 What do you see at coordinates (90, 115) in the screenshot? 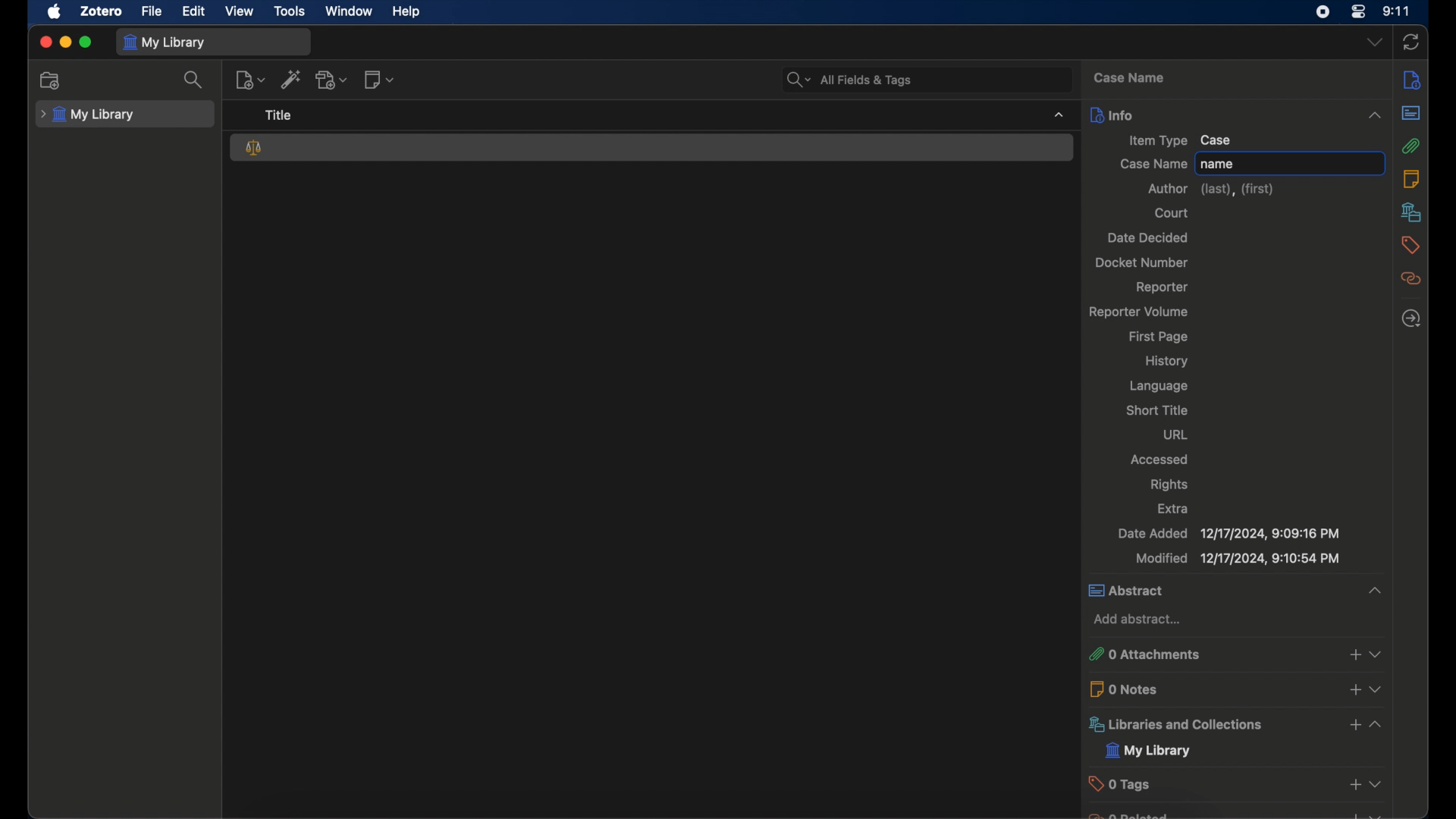
I see `my library` at bounding box center [90, 115].